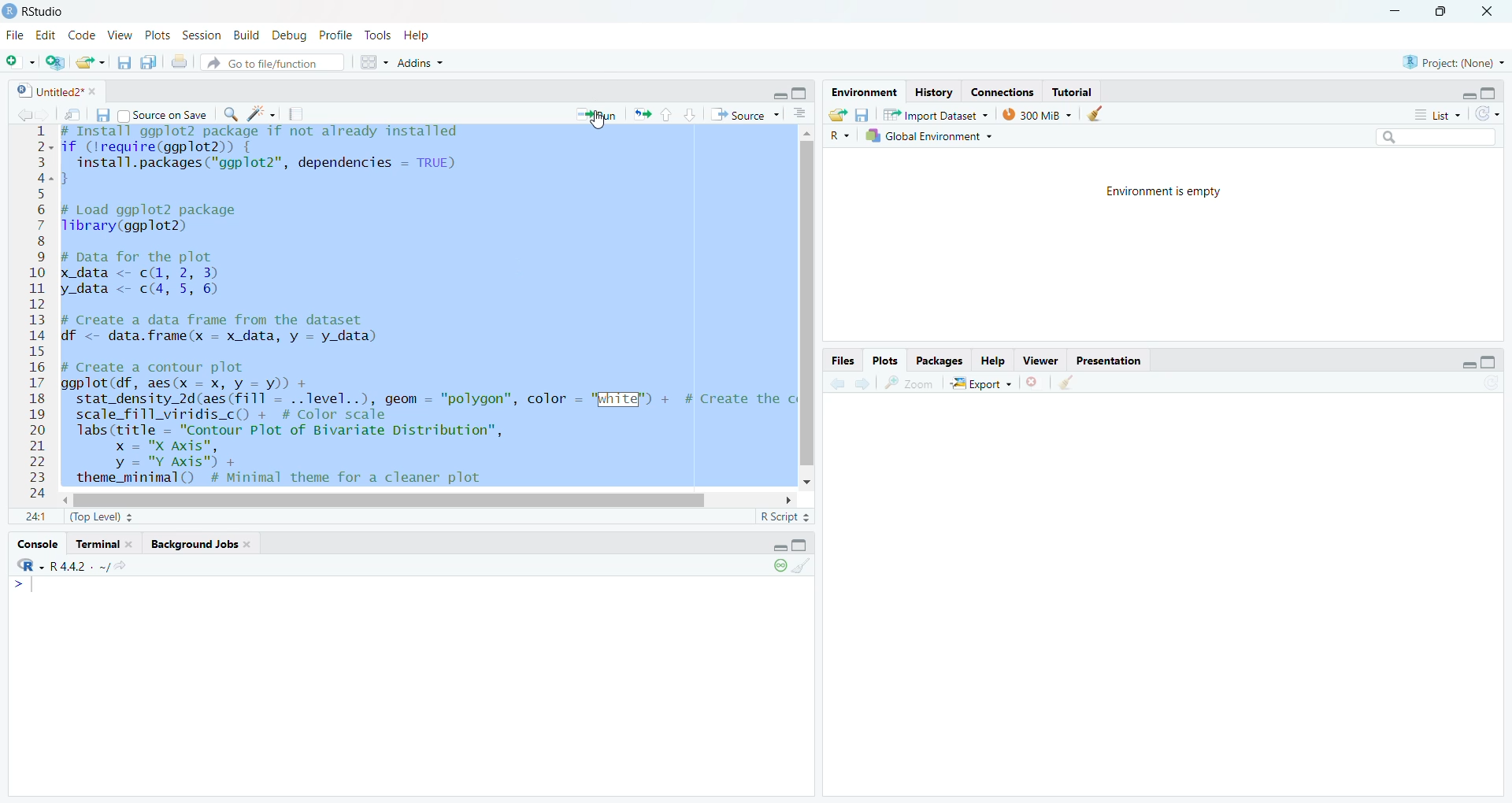  I want to click on hide r script, so click(1466, 362).